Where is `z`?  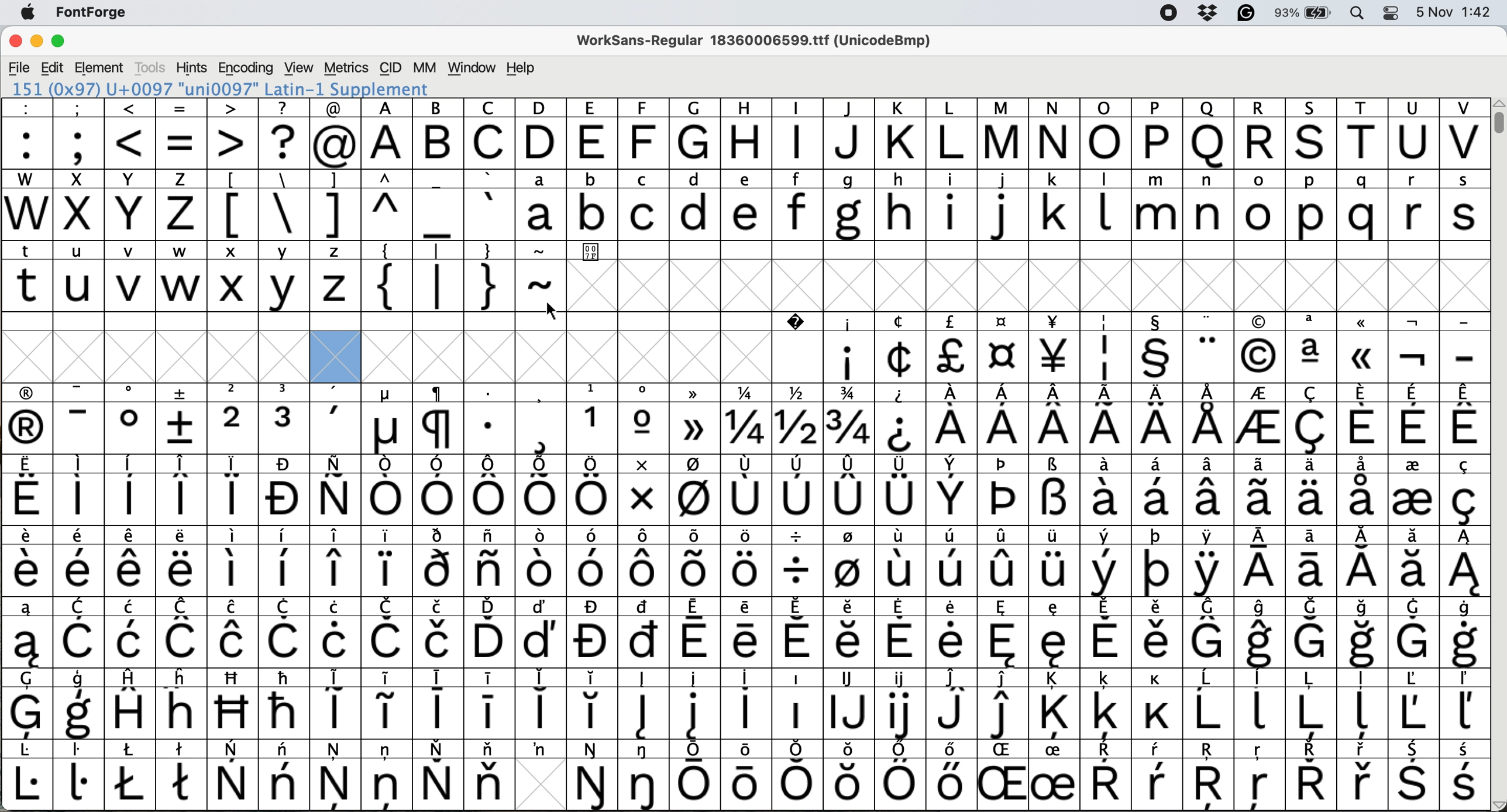
z is located at coordinates (337, 276).